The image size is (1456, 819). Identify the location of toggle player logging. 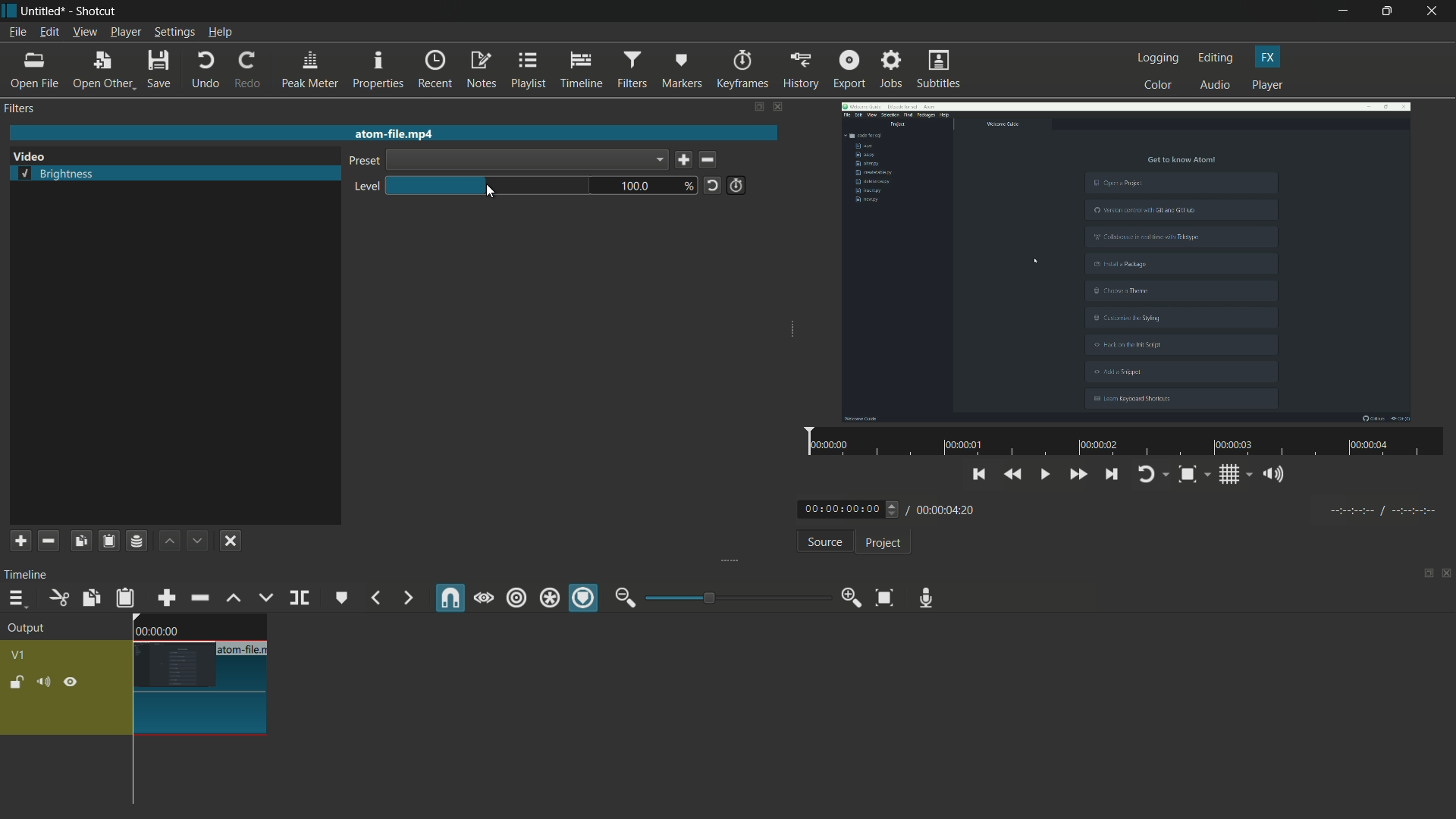
(1153, 474).